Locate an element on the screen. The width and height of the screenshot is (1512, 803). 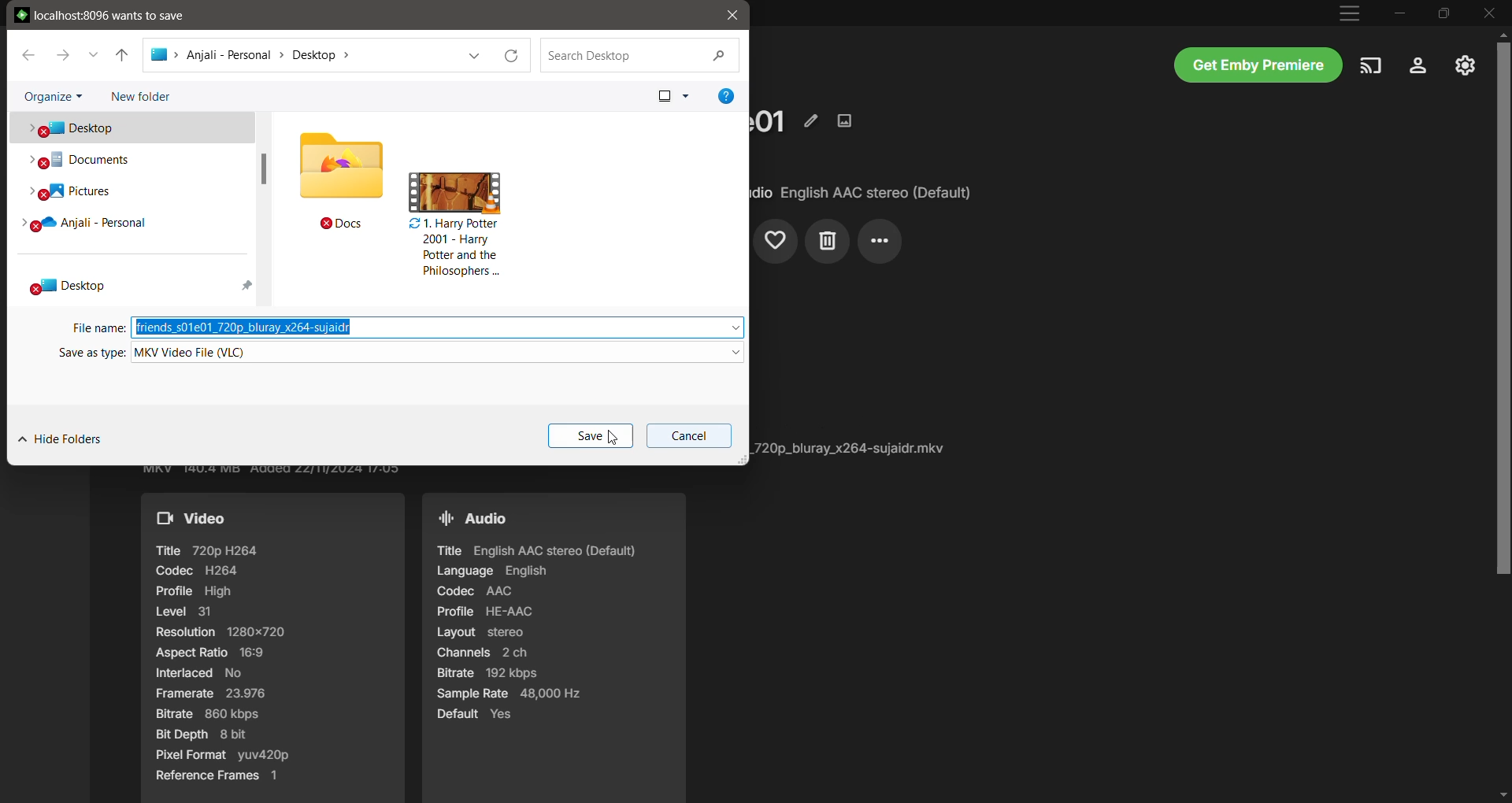
Search Current Location is located at coordinates (641, 56).